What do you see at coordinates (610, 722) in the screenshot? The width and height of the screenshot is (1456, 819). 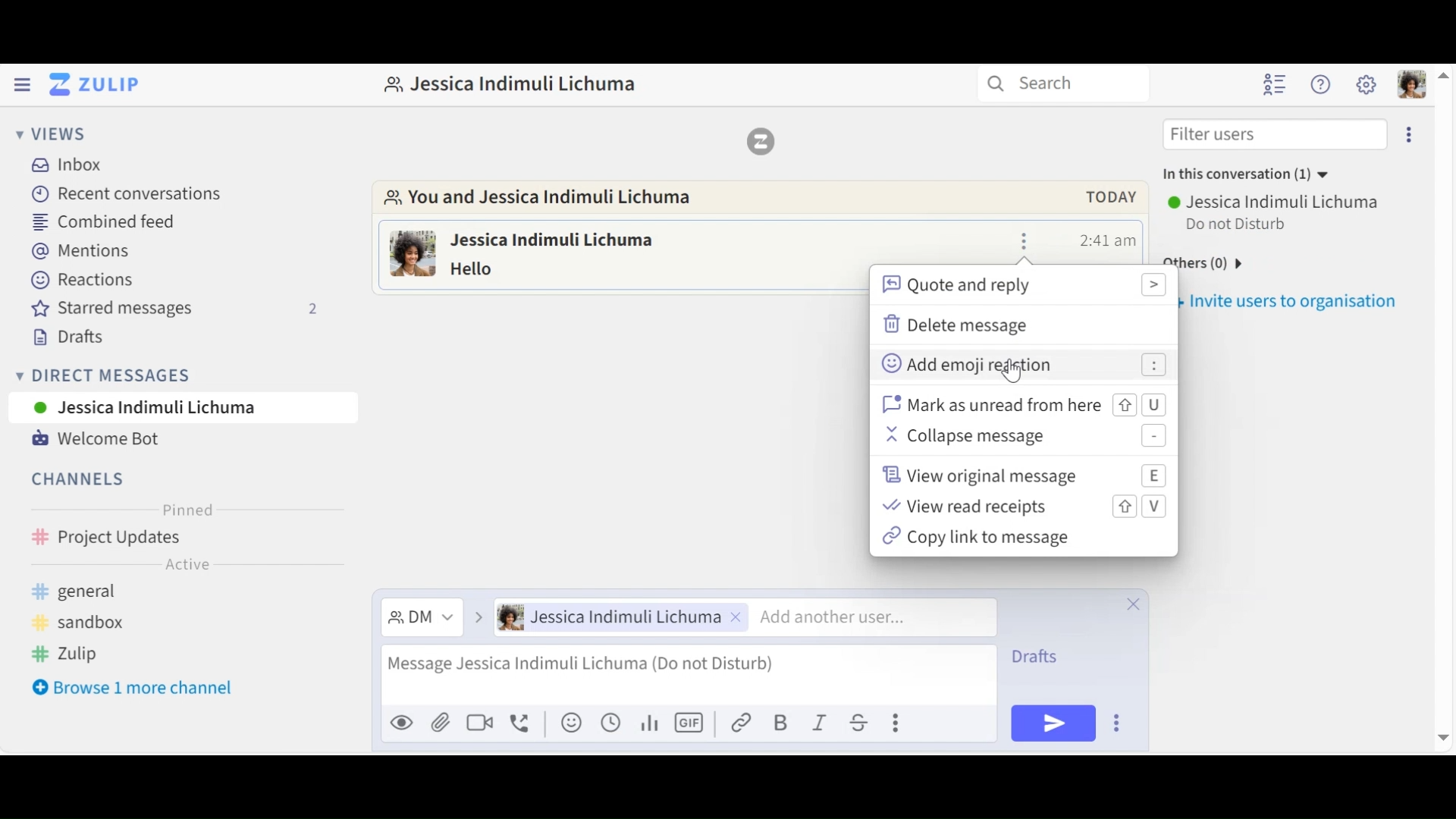 I see `Add global time` at bounding box center [610, 722].